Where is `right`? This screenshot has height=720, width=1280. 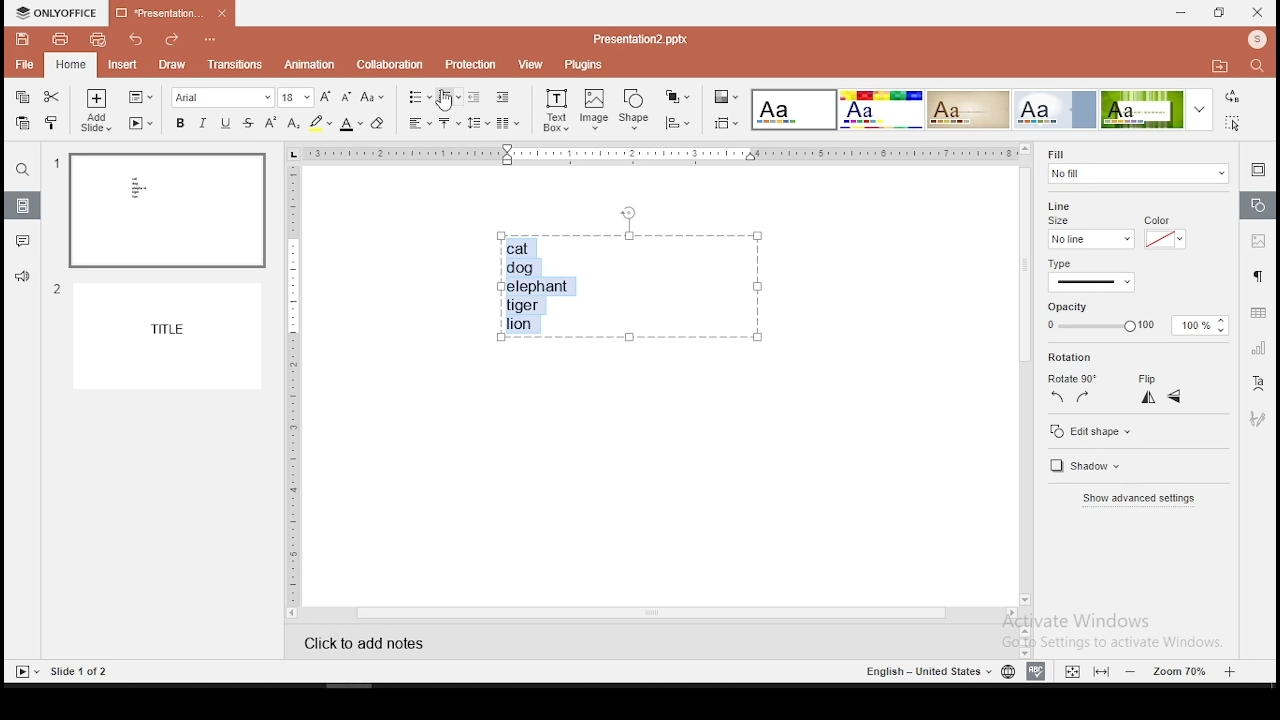
right is located at coordinates (1084, 400).